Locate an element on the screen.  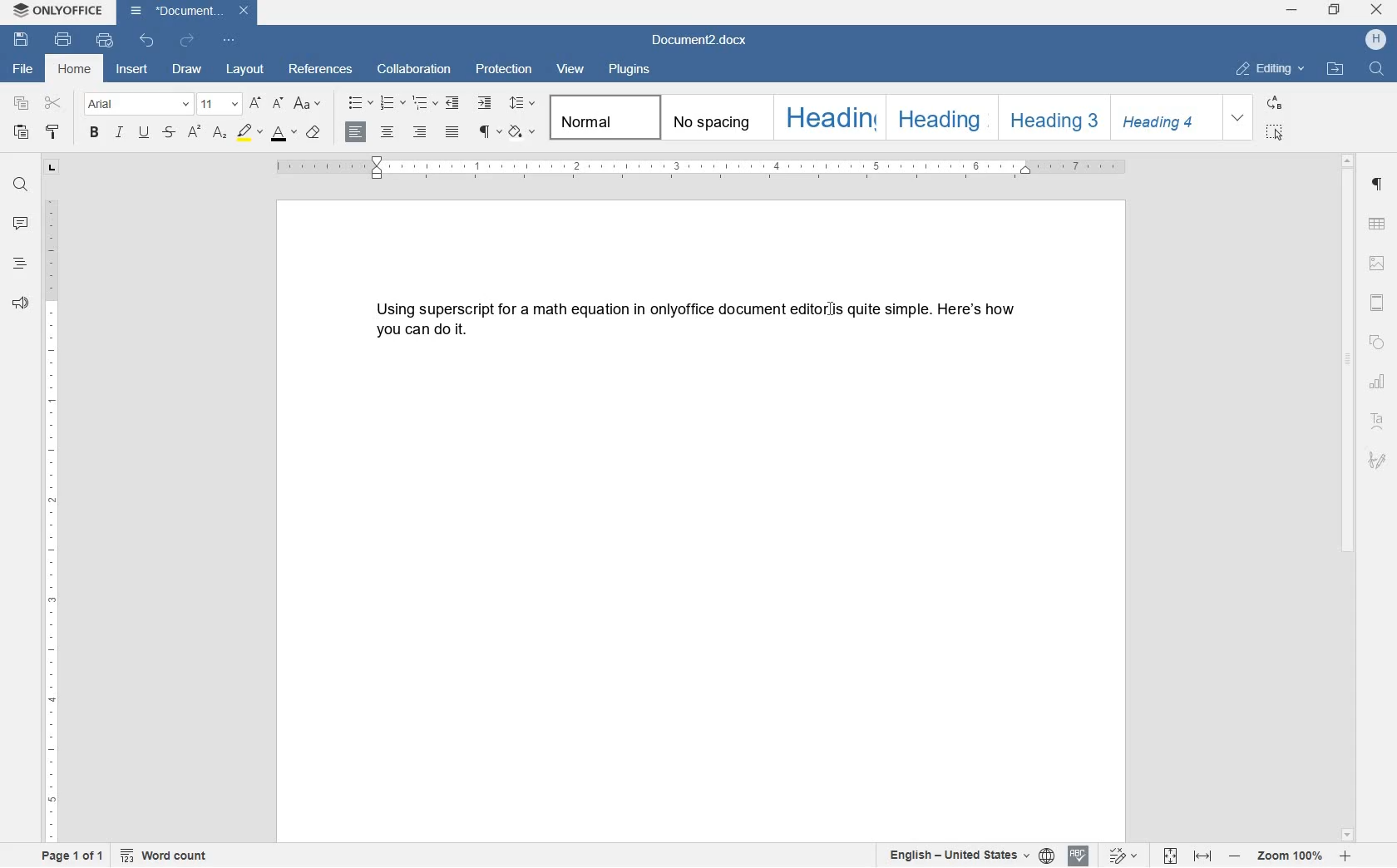
close is located at coordinates (1376, 10).